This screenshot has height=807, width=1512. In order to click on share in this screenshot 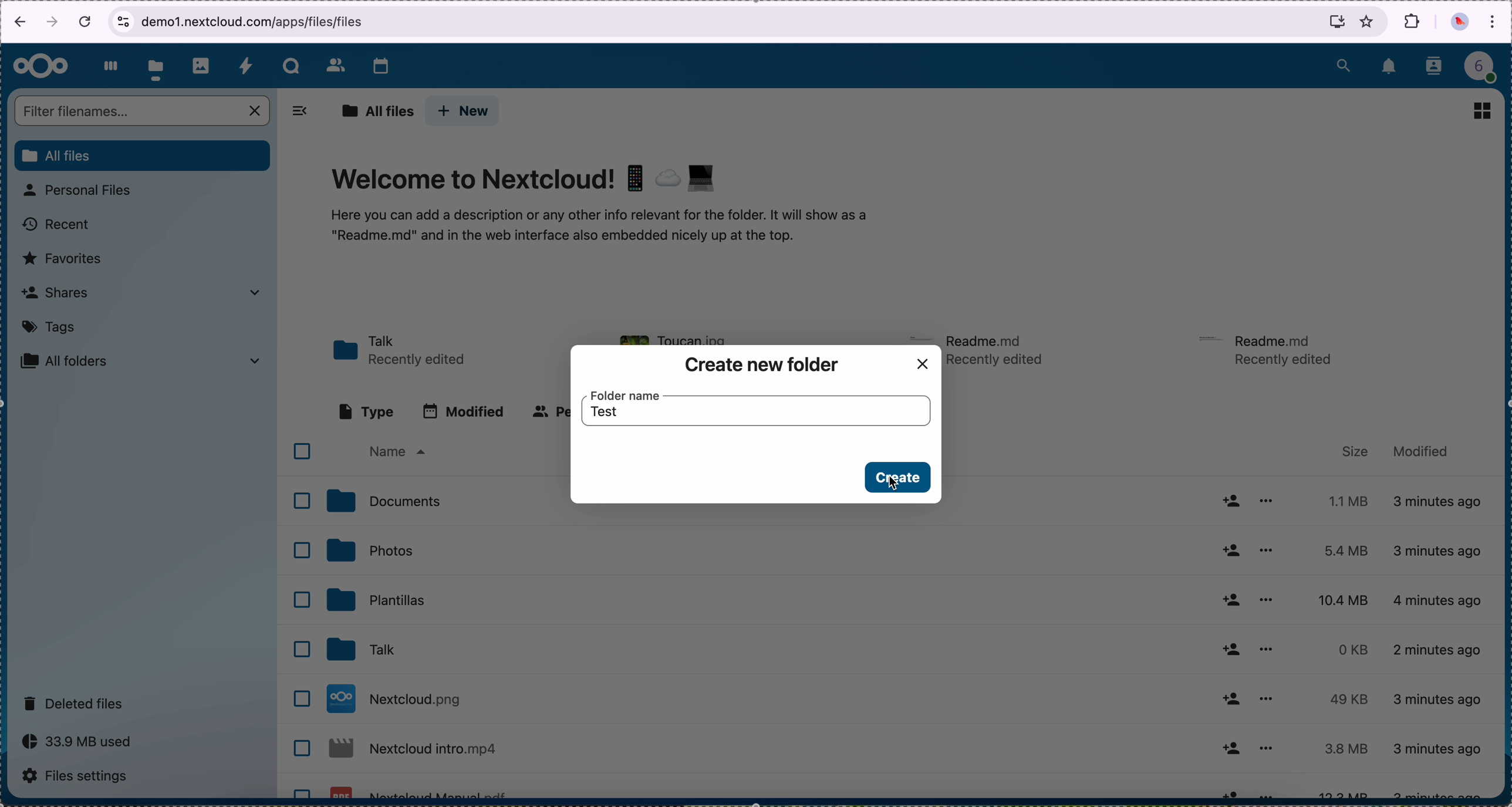, I will do `click(1230, 698)`.